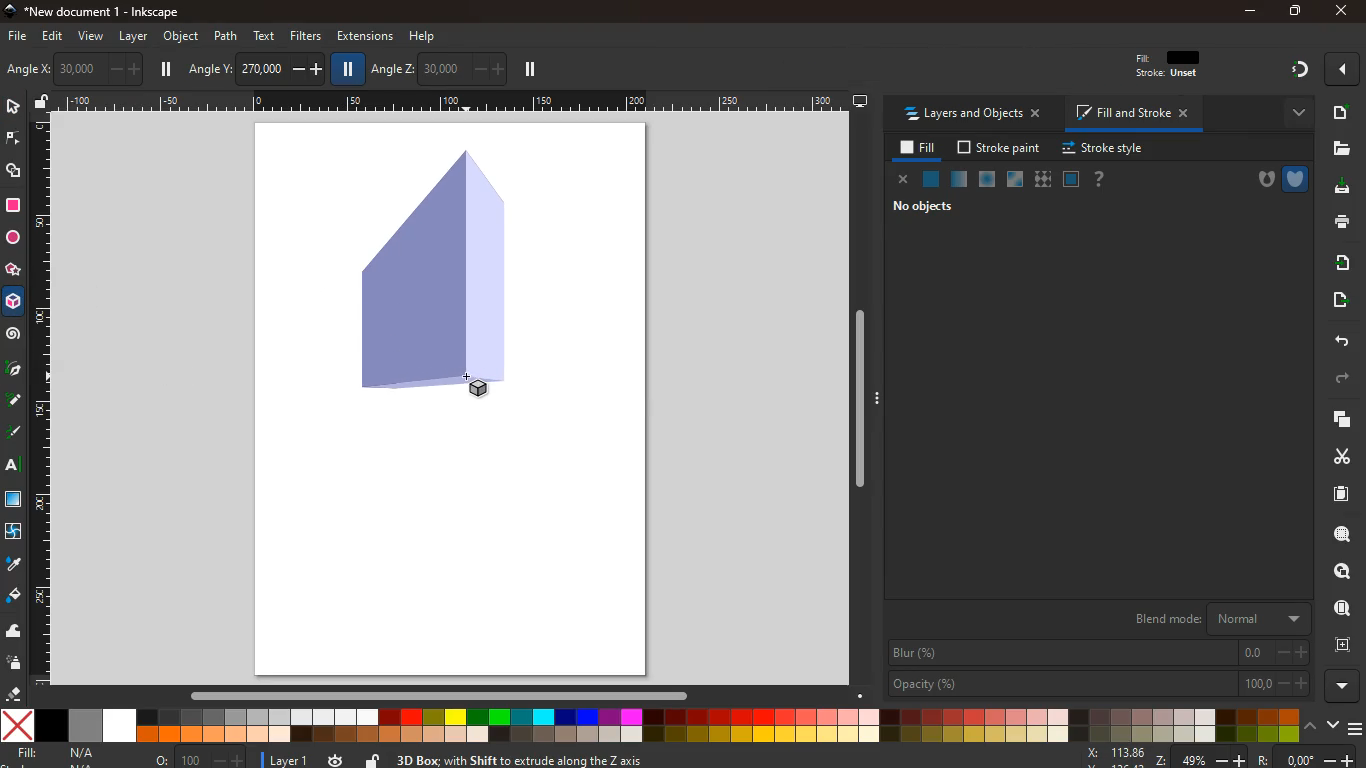 The image size is (1366, 768). Describe the element at coordinates (1135, 115) in the screenshot. I see `fill and stroke` at that location.